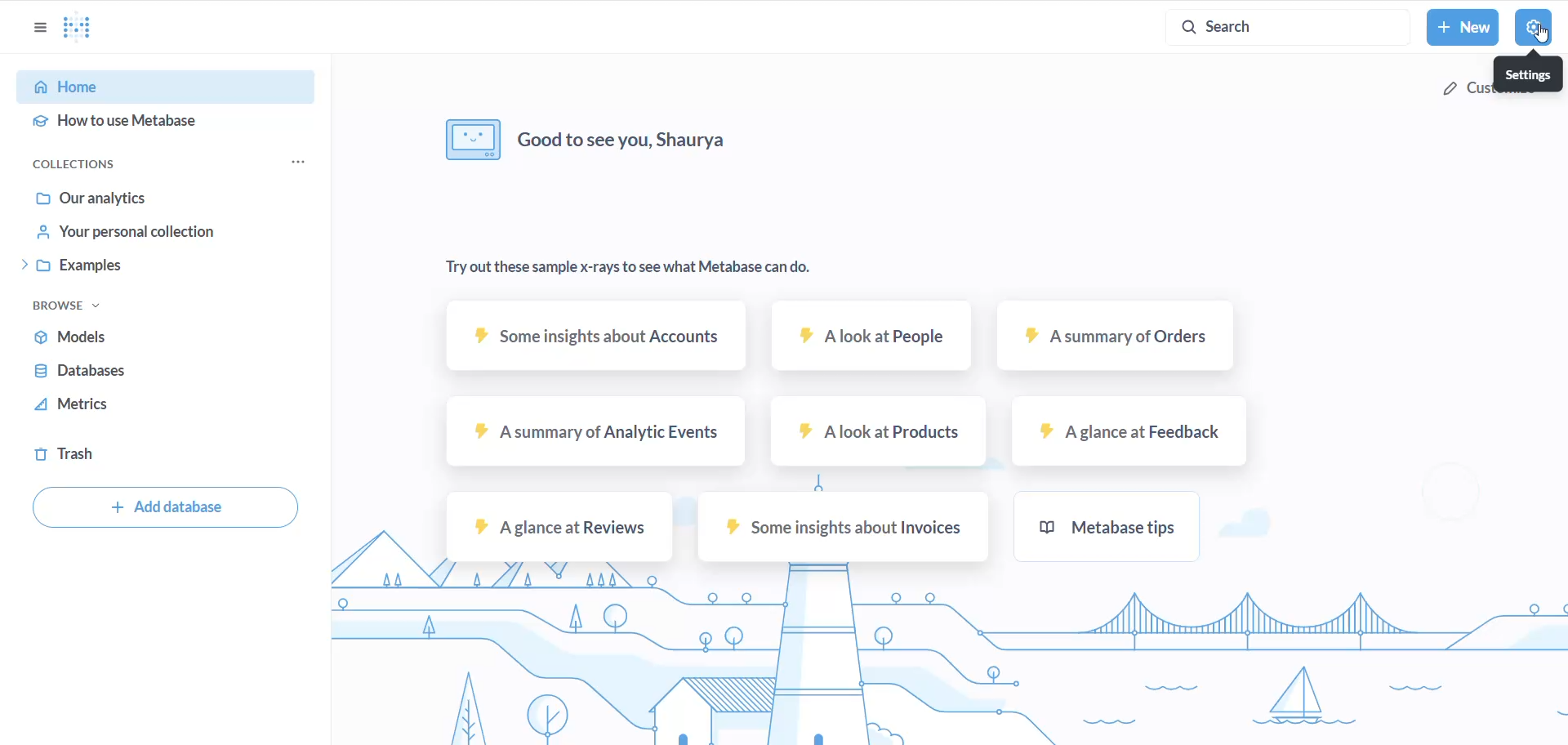  Describe the element at coordinates (156, 453) in the screenshot. I see `TRASH` at that location.